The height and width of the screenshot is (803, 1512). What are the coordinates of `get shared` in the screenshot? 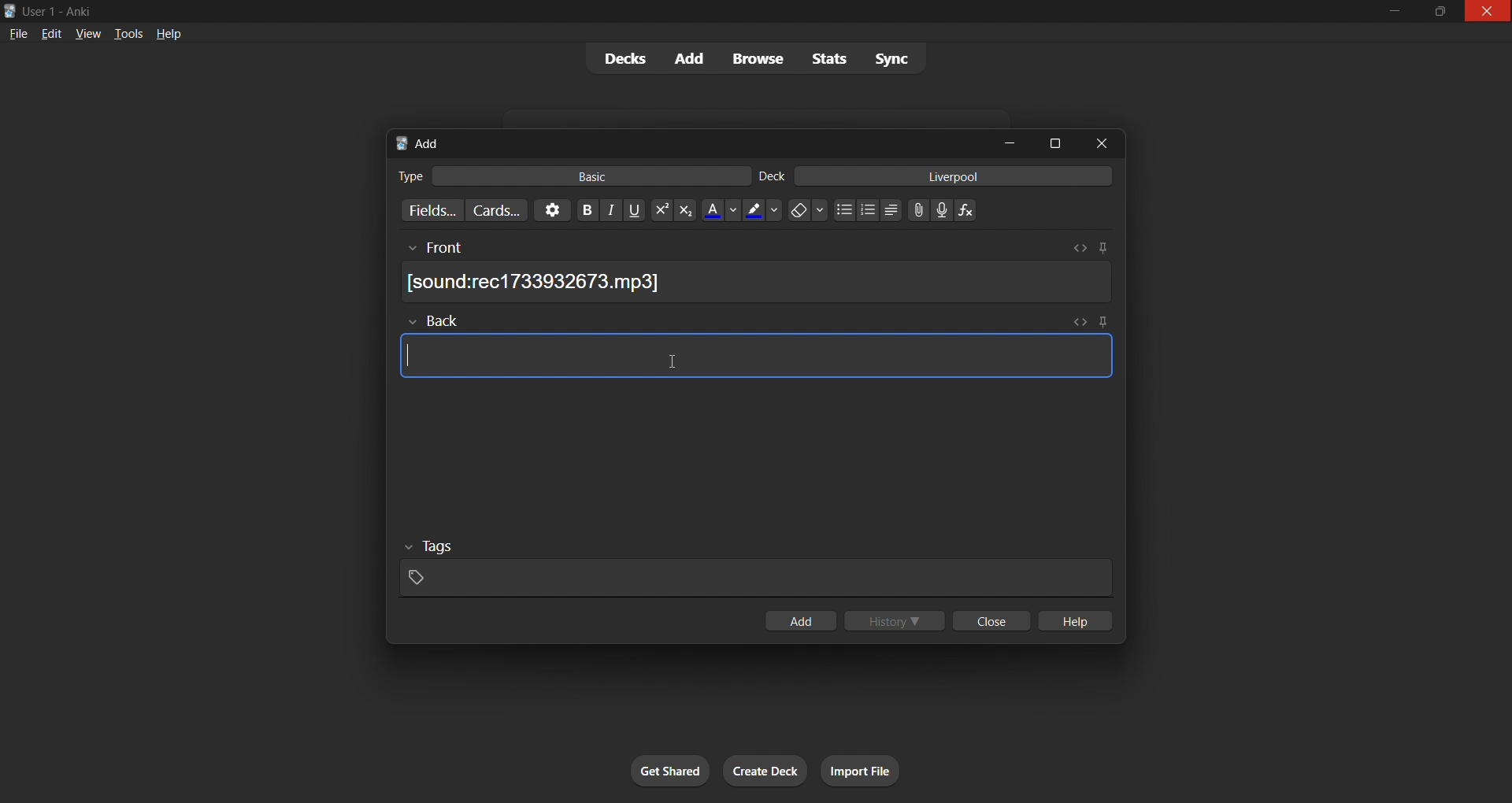 It's located at (654, 766).